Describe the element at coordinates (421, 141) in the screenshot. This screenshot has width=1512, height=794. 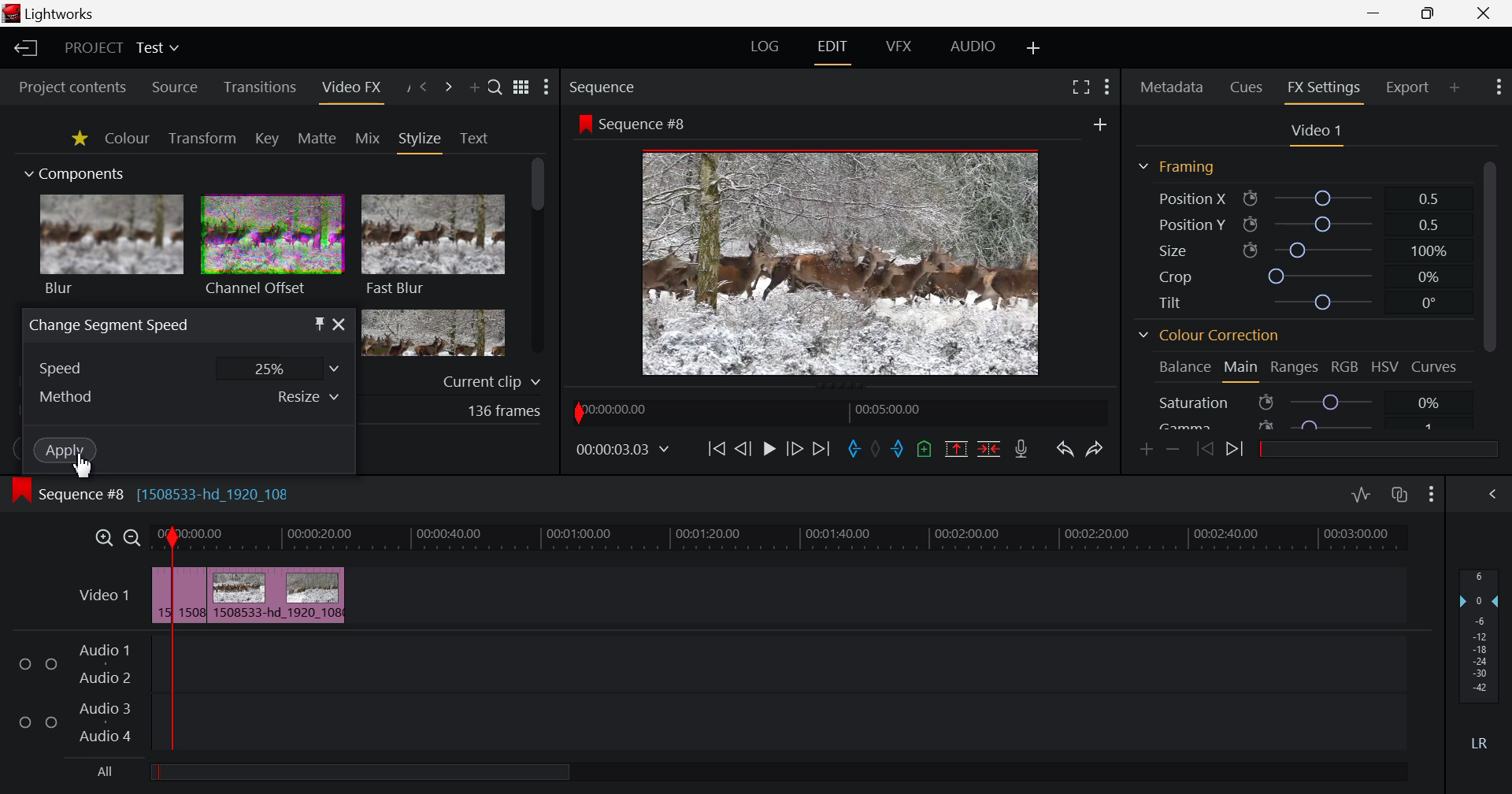
I see `Stylize` at that location.